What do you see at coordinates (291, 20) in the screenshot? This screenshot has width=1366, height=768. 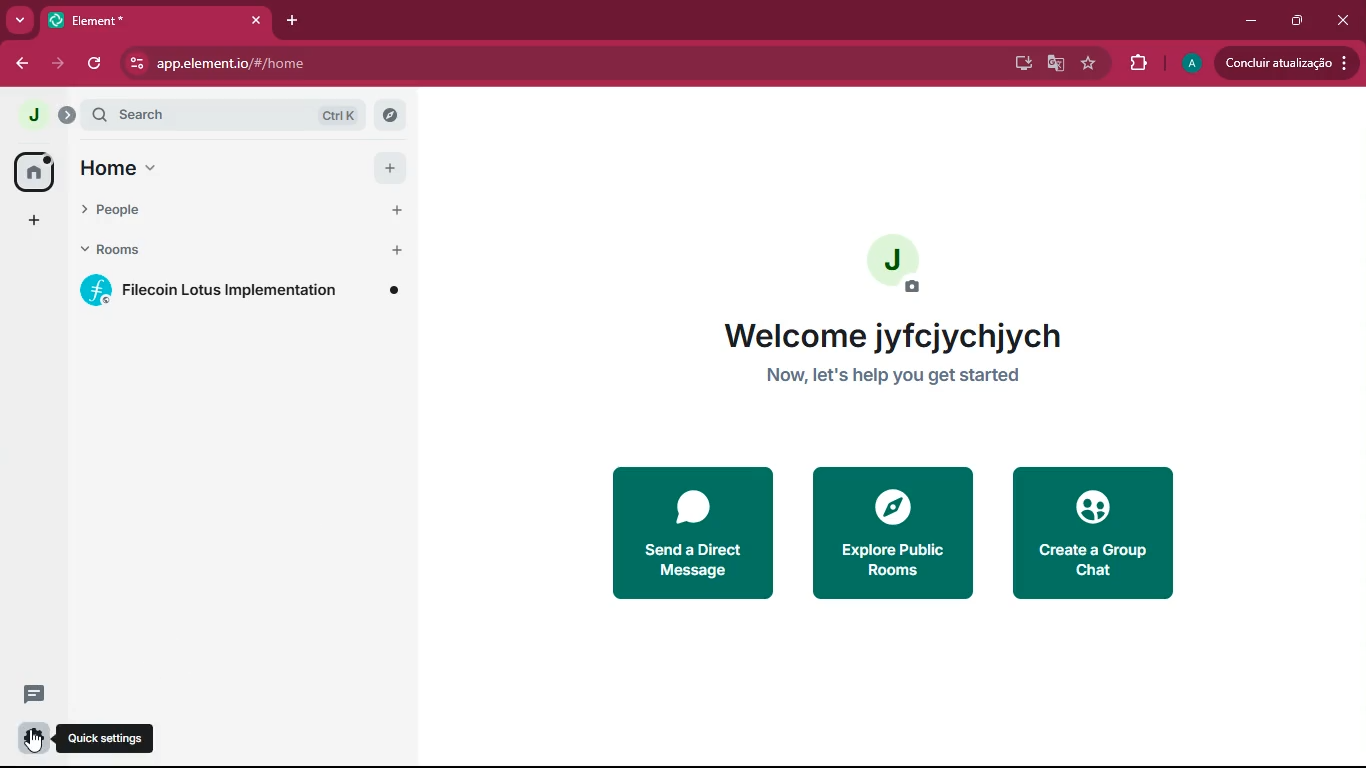 I see `add tab` at bounding box center [291, 20].